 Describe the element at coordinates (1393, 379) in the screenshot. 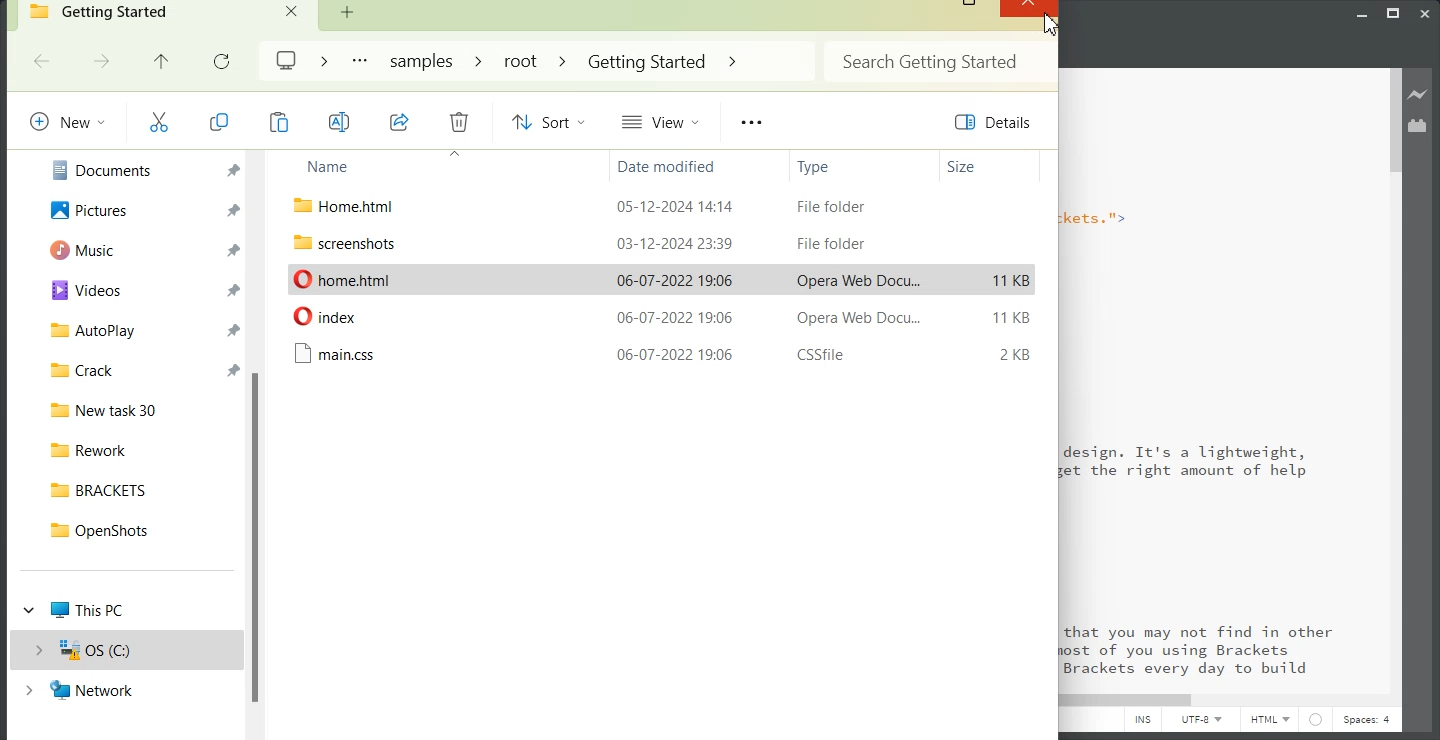

I see `Vertical Scroll bar ` at that location.